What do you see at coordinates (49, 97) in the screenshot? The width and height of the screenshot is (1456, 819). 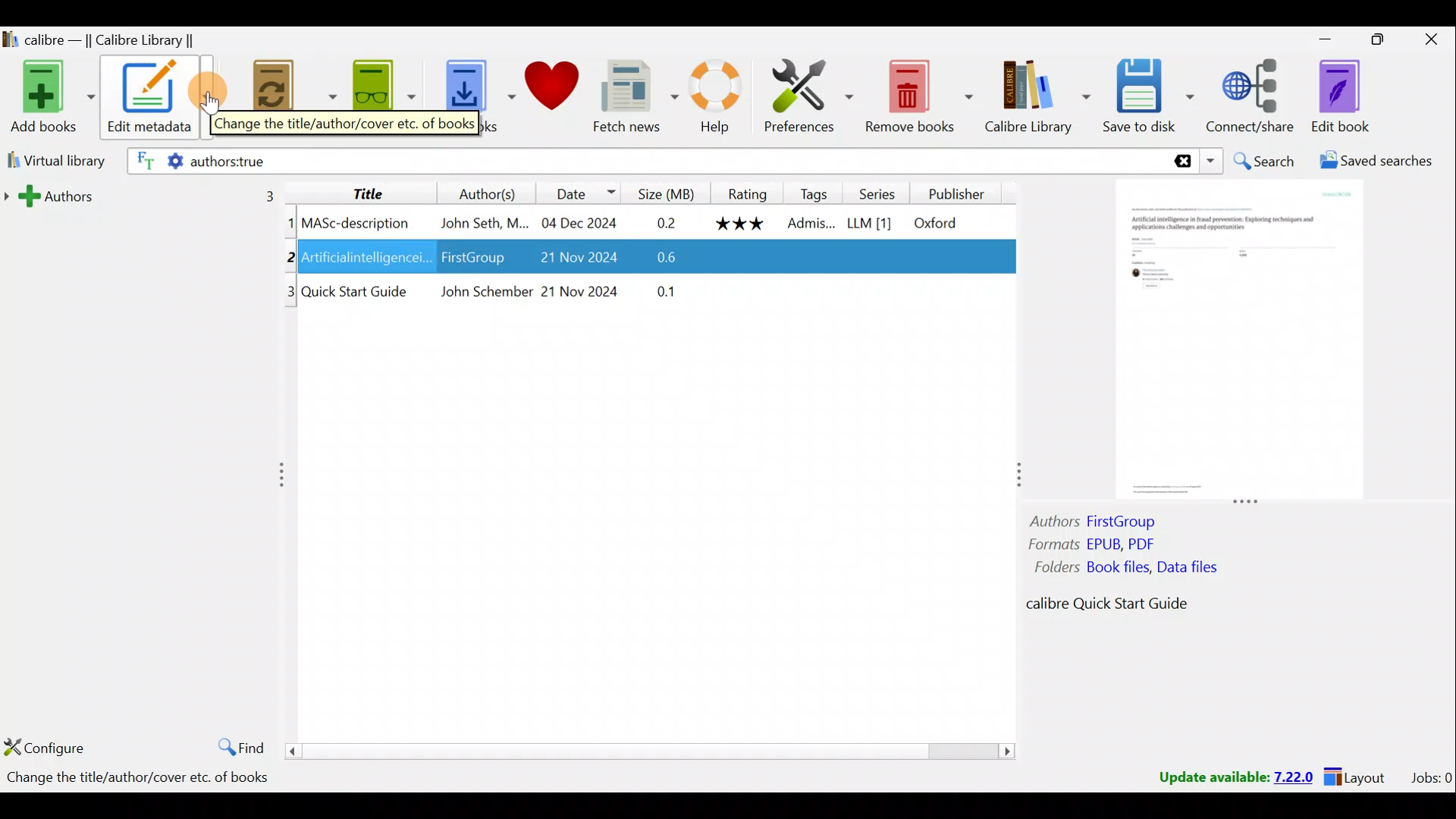 I see `Add books` at bounding box center [49, 97].